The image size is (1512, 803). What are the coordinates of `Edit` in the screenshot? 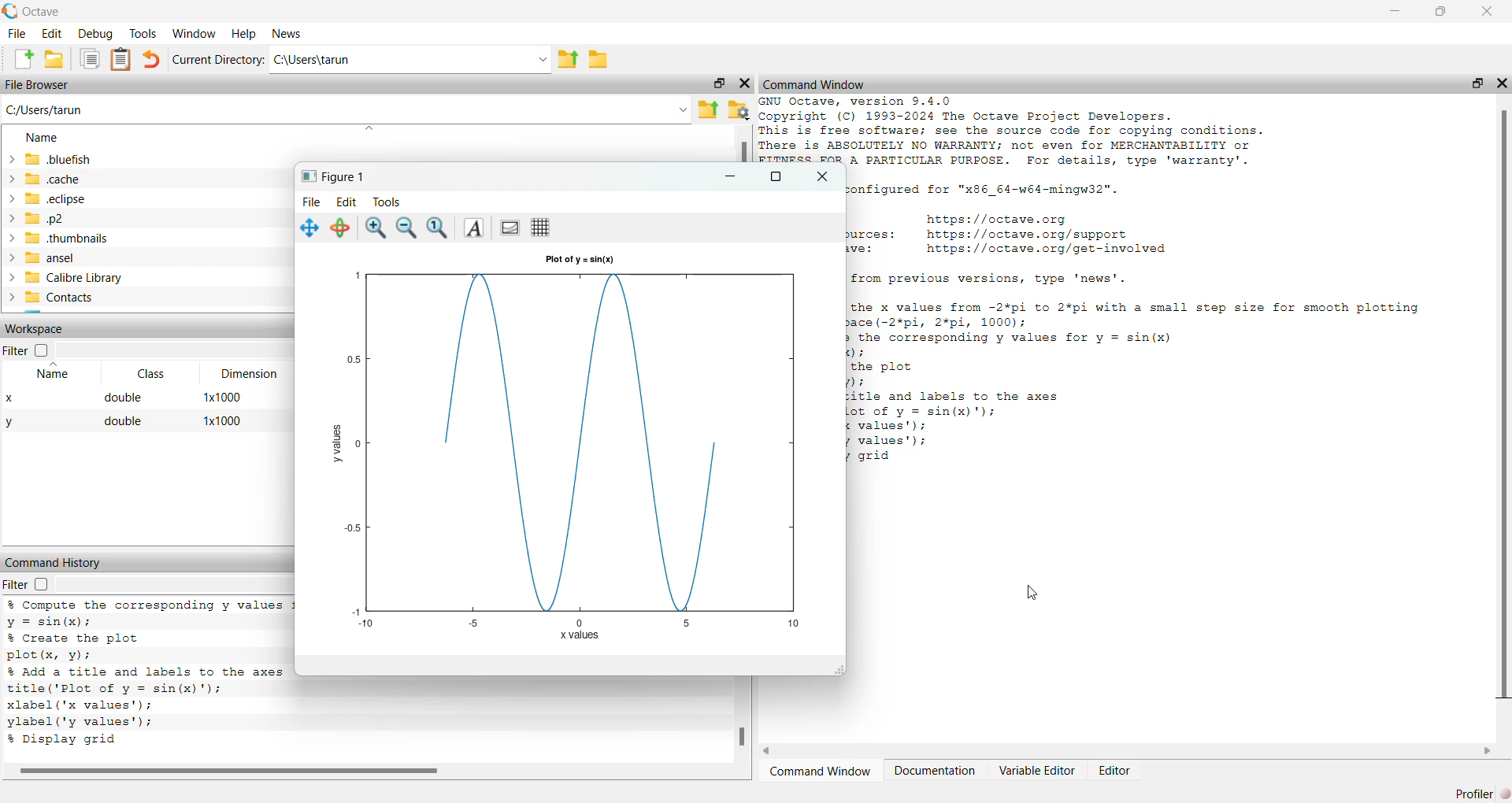 It's located at (52, 35).